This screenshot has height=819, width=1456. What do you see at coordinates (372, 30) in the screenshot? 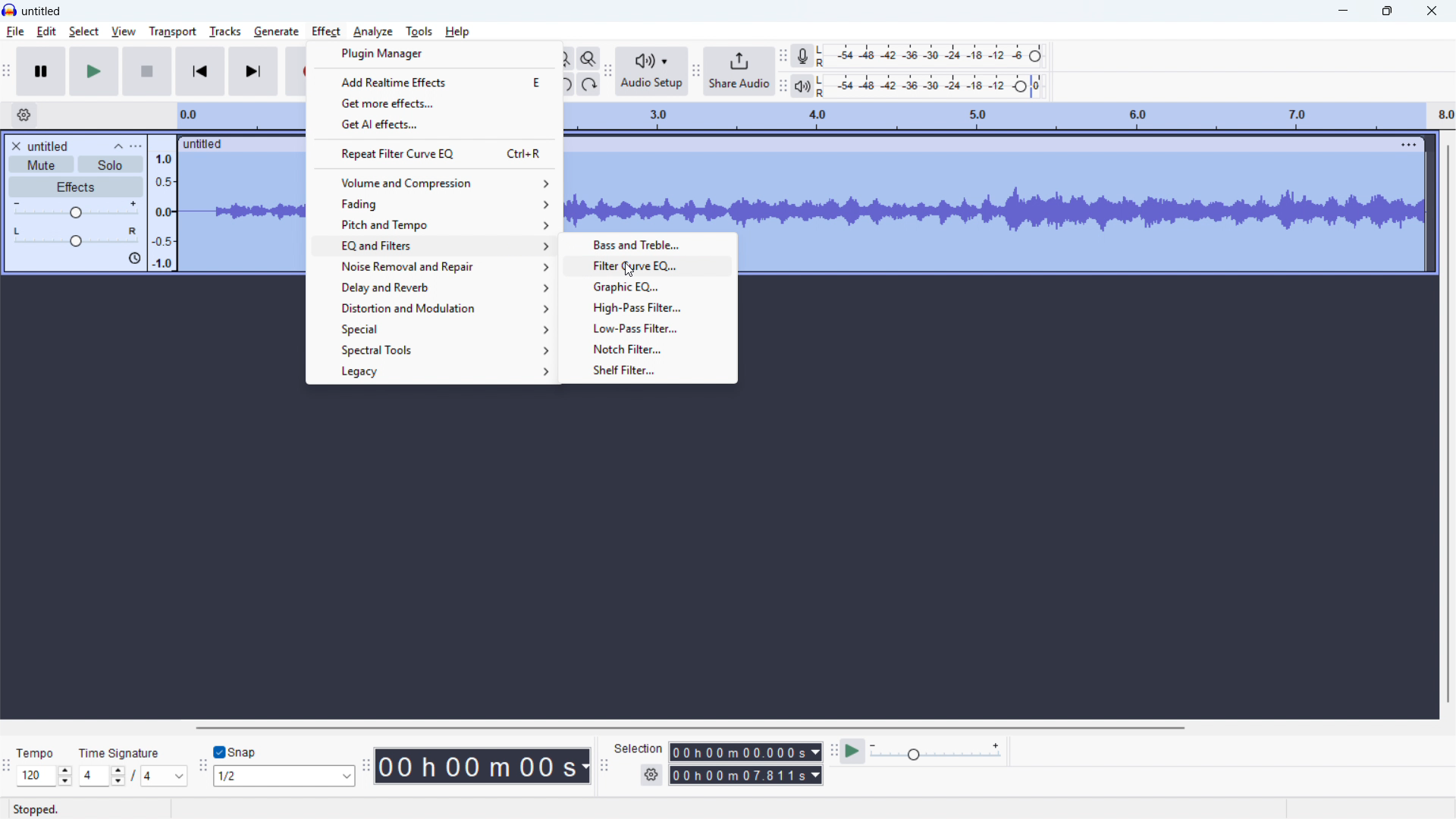
I see `analyze` at bounding box center [372, 30].